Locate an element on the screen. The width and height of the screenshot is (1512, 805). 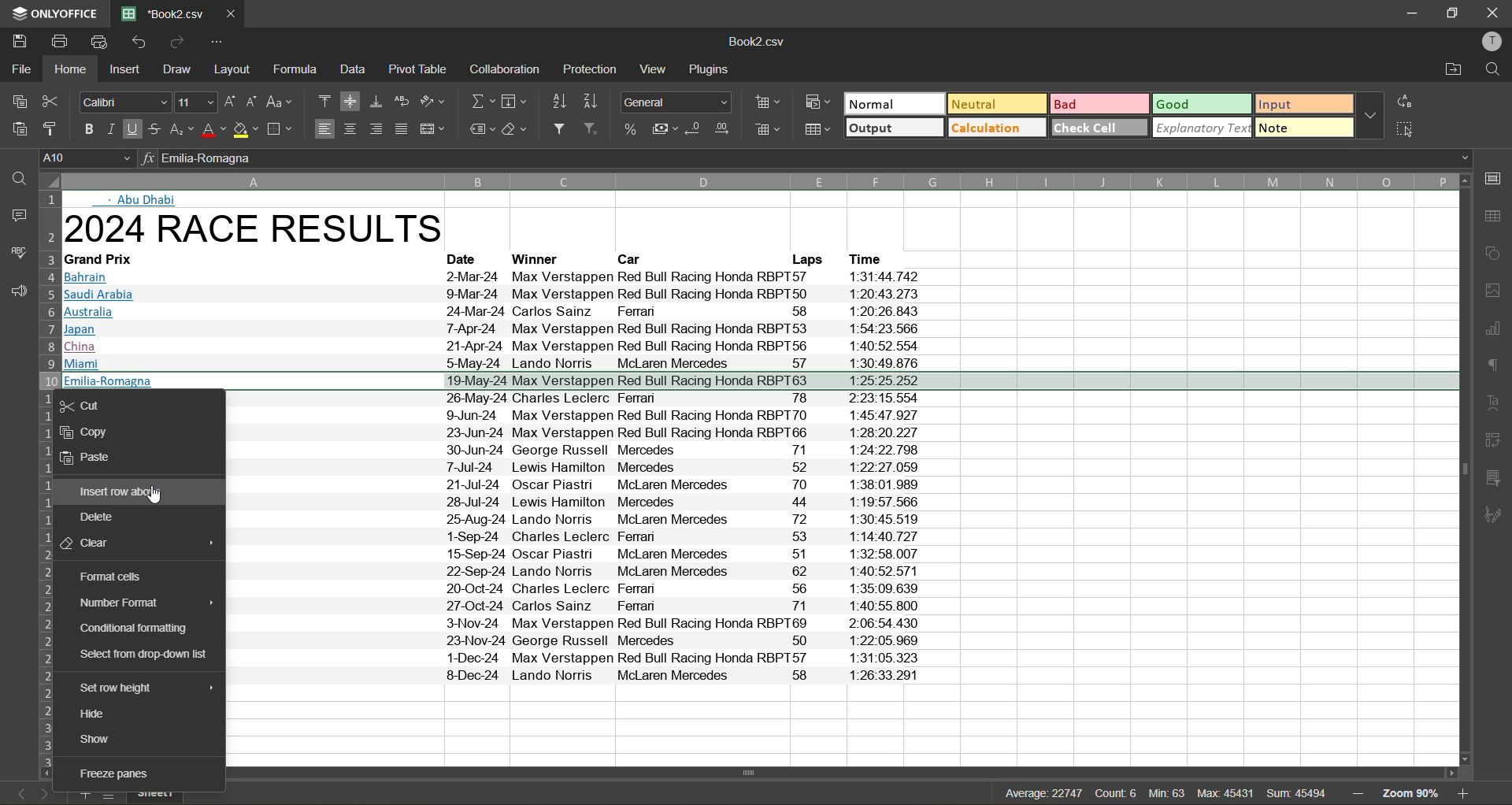
summation is located at coordinates (479, 101).